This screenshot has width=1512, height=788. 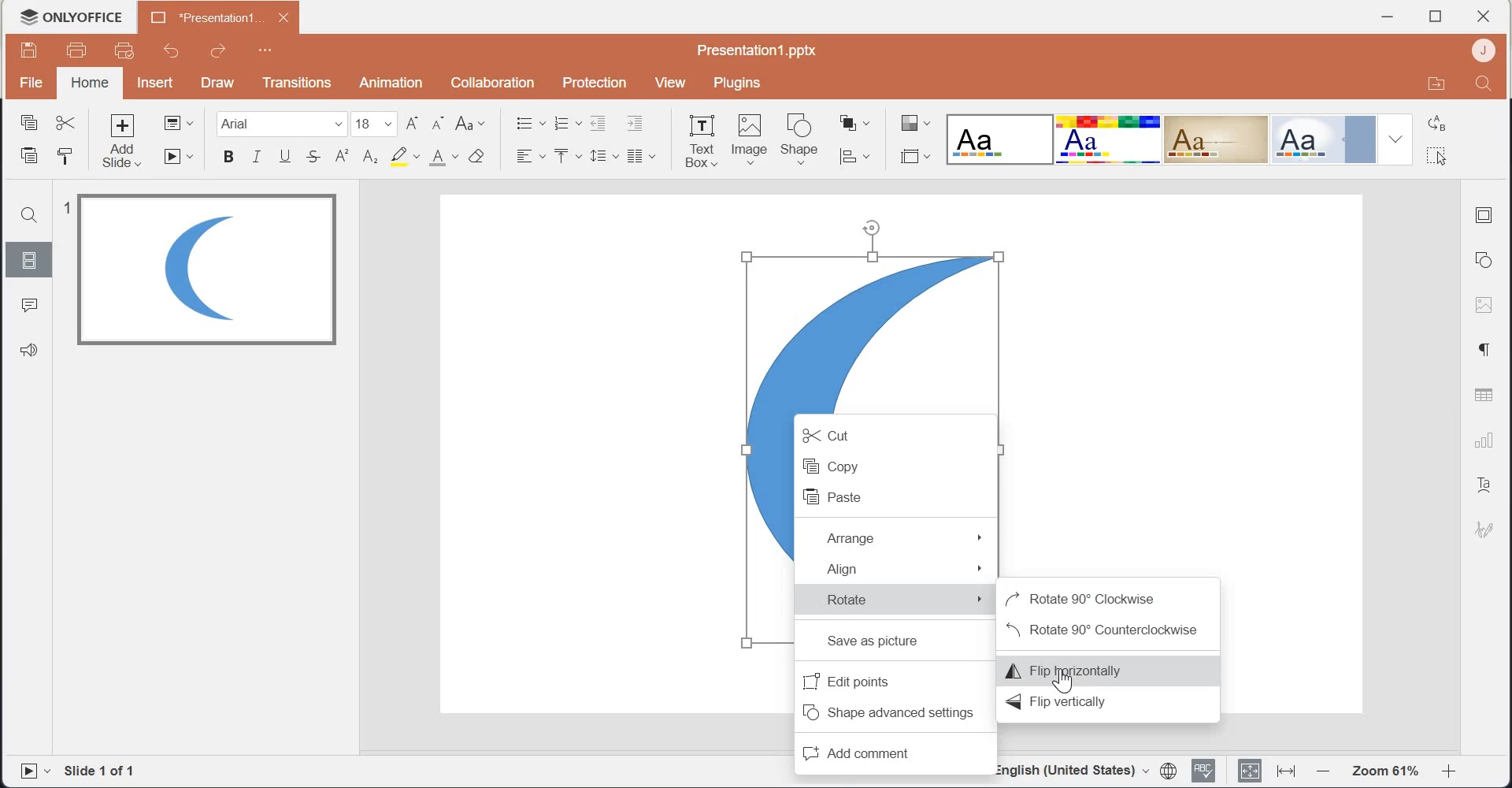 I want to click on font size, so click(x=376, y=125).